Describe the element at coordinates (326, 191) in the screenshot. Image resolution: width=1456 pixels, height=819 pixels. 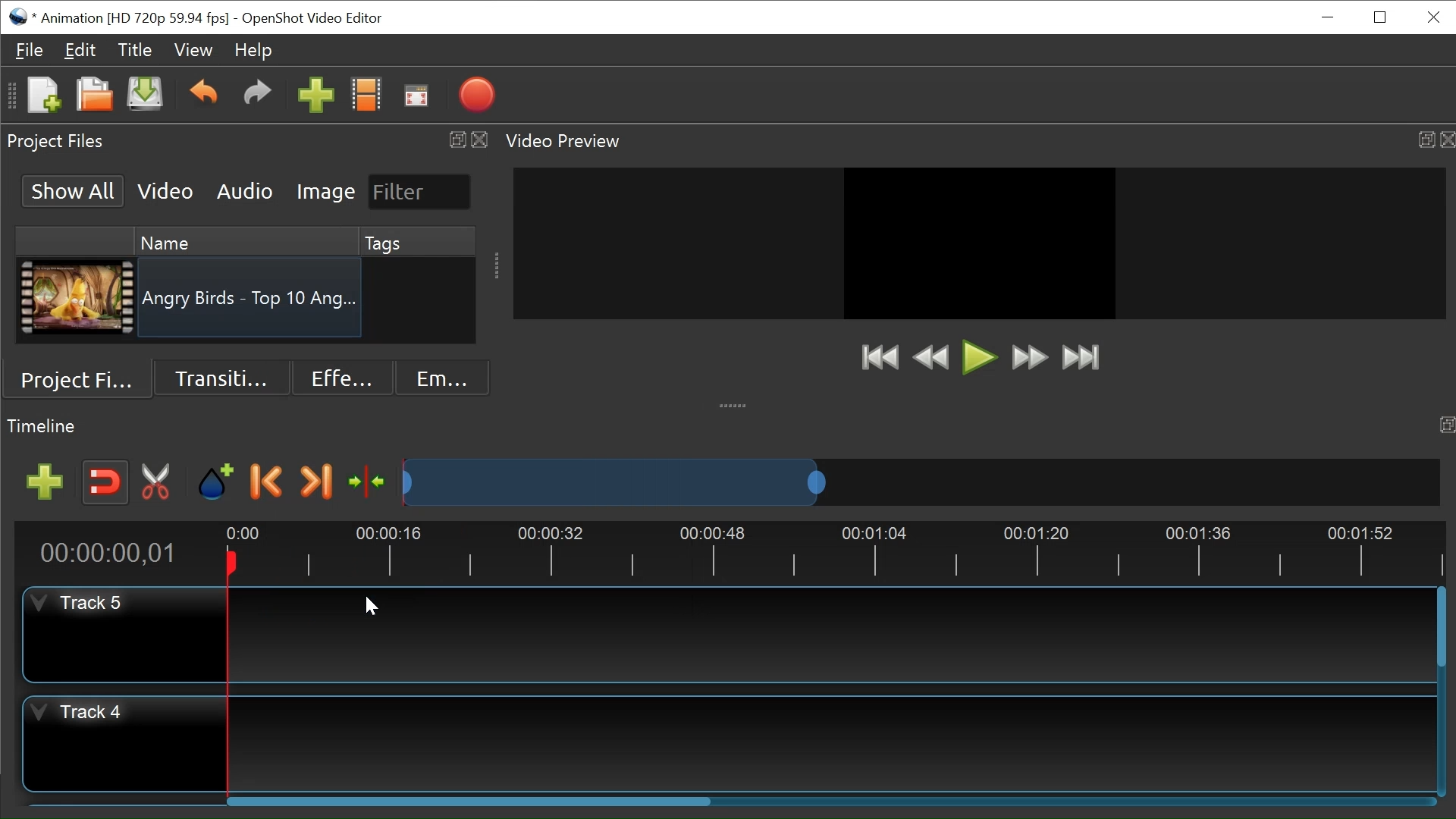
I see `Image` at that location.